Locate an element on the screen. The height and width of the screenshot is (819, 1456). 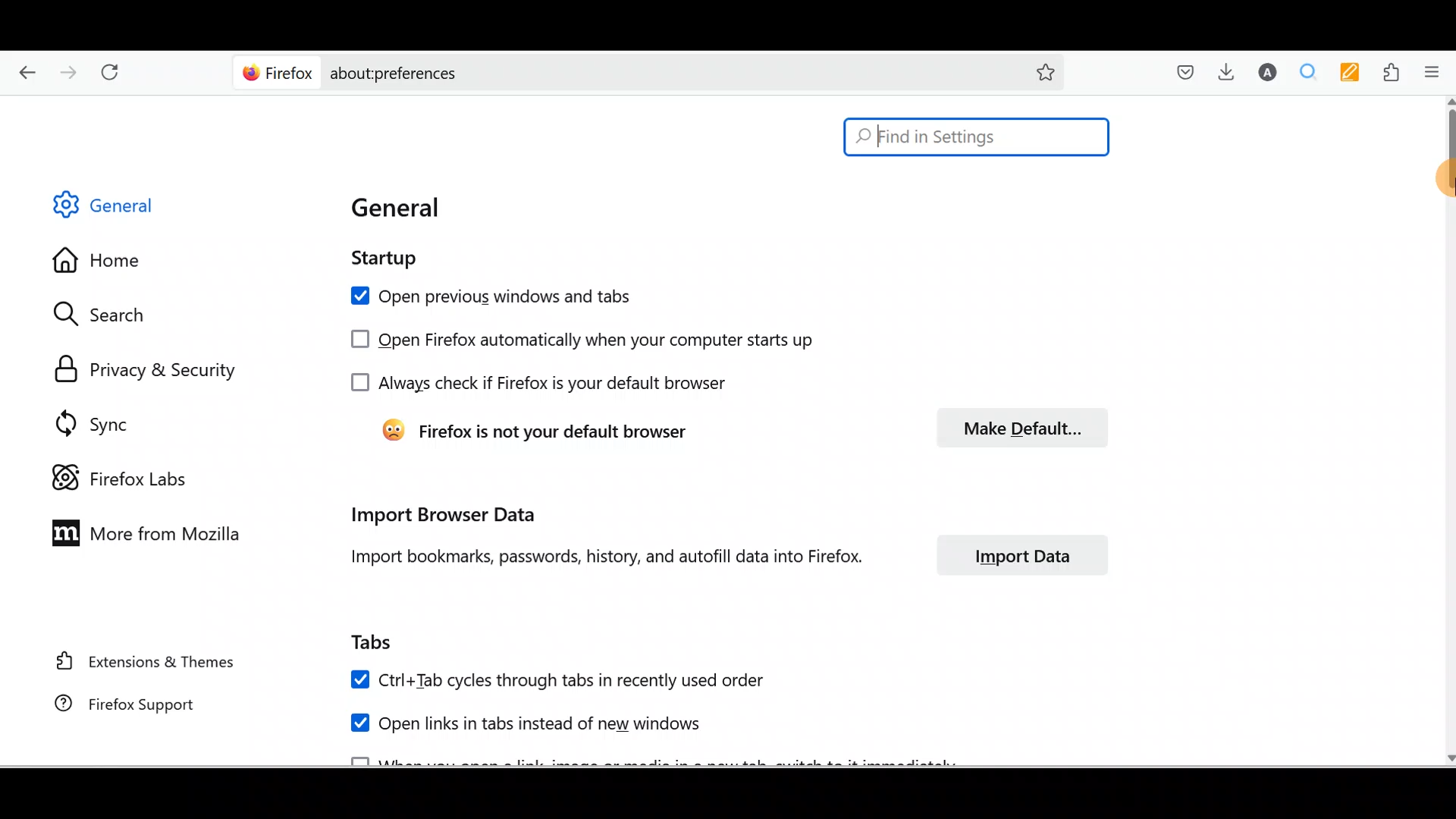
Sync is located at coordinates (86, 418).